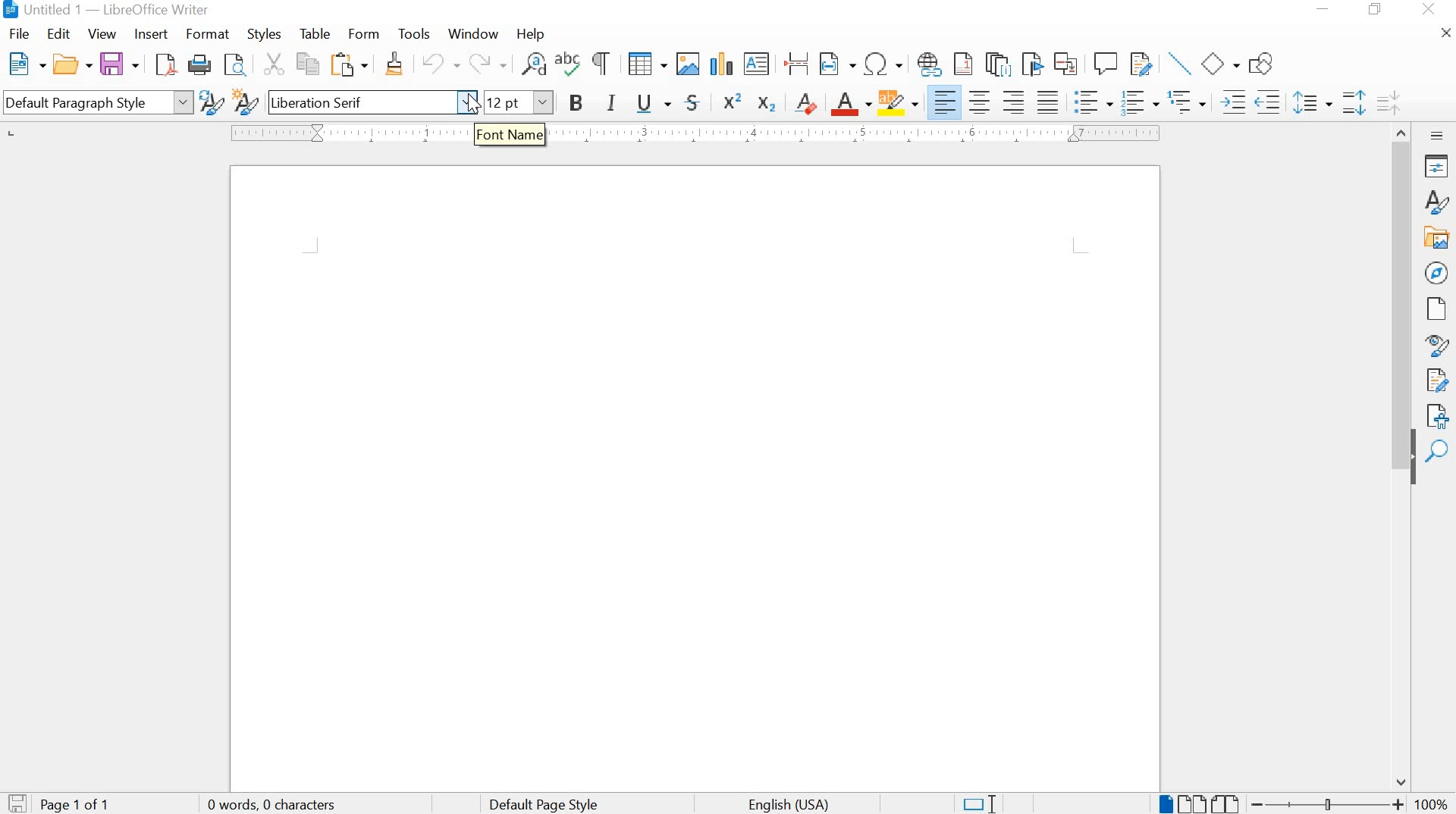  Describe the element at coordinates (1434, 308) in the screenshot. I see `PAGE` at that location.